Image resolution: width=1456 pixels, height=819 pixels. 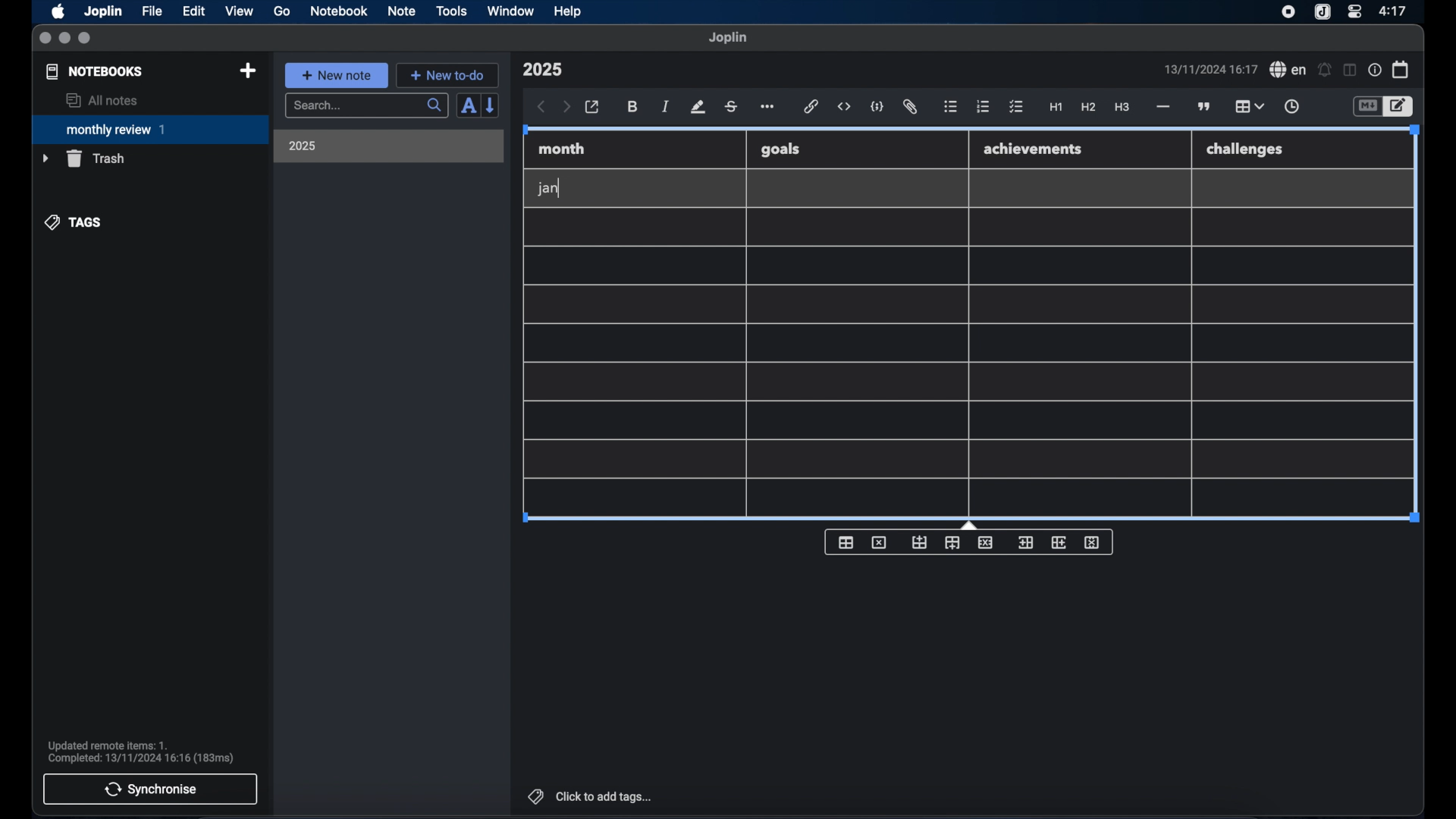 What do you see at coordinates (541, 107) in the screenshot?
I see `back` at bounding box center [541, 107].